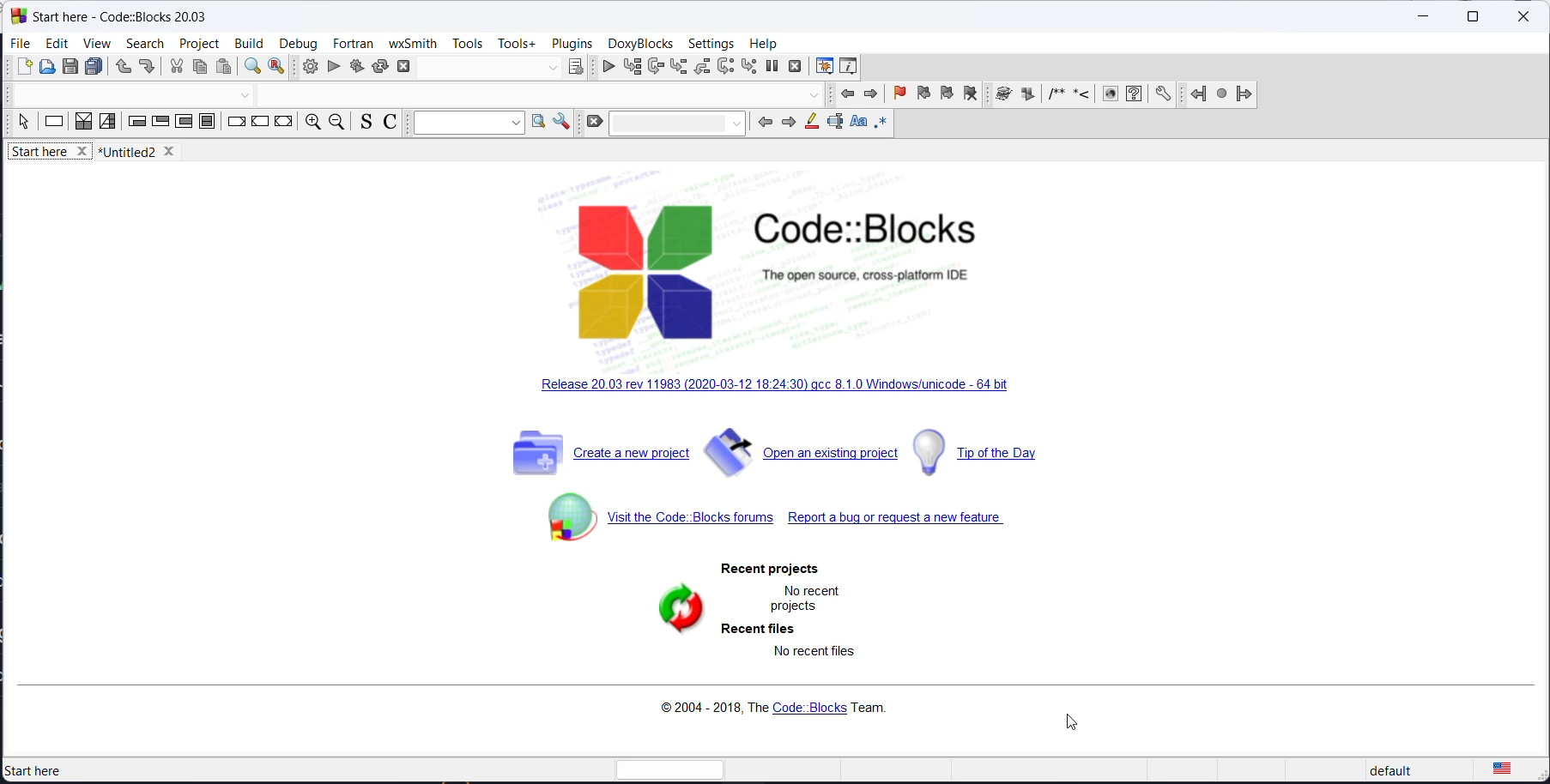 This screenshot has height=784, width=1550. Describe the element at coordinates (802, 457) in the screenshot. I see `open existing project` at that location.